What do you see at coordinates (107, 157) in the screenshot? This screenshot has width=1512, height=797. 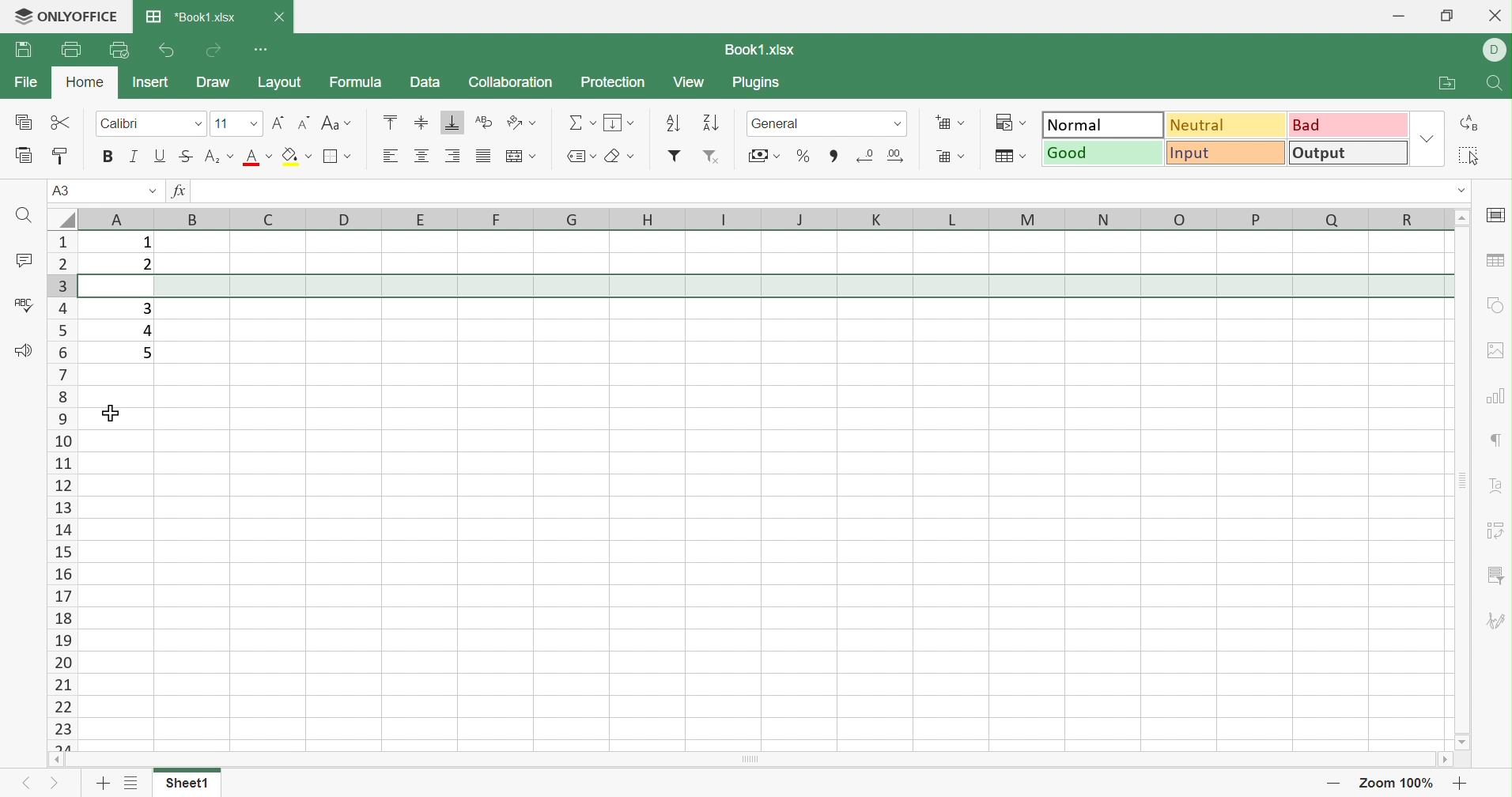 I see `Bold` at bounding box center [107, 157].